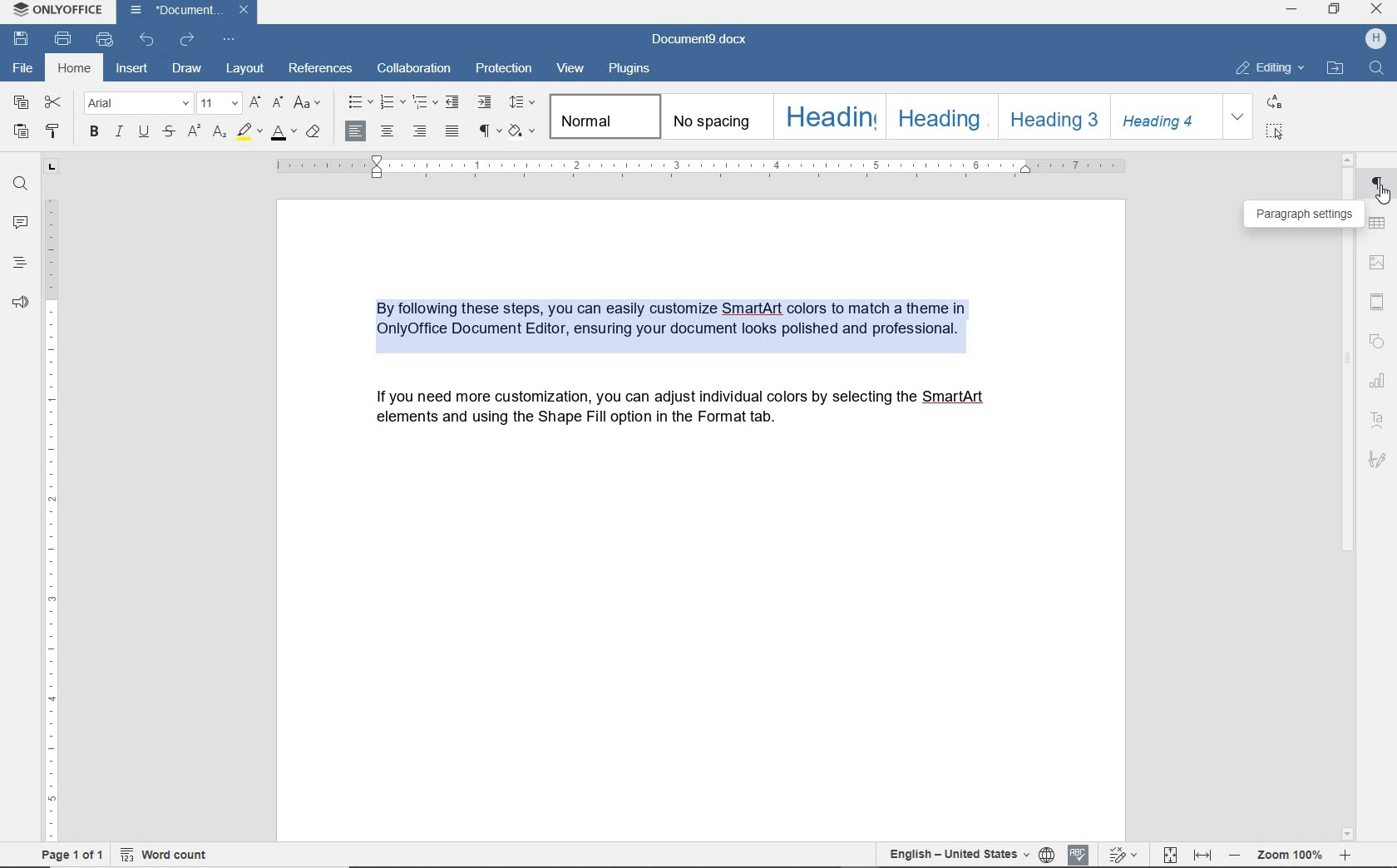 The height and width of the screenshot is (868, 1397). Describe the element at coordinates (453, 101) in the screenshot. I see `decrease indent` at that location.